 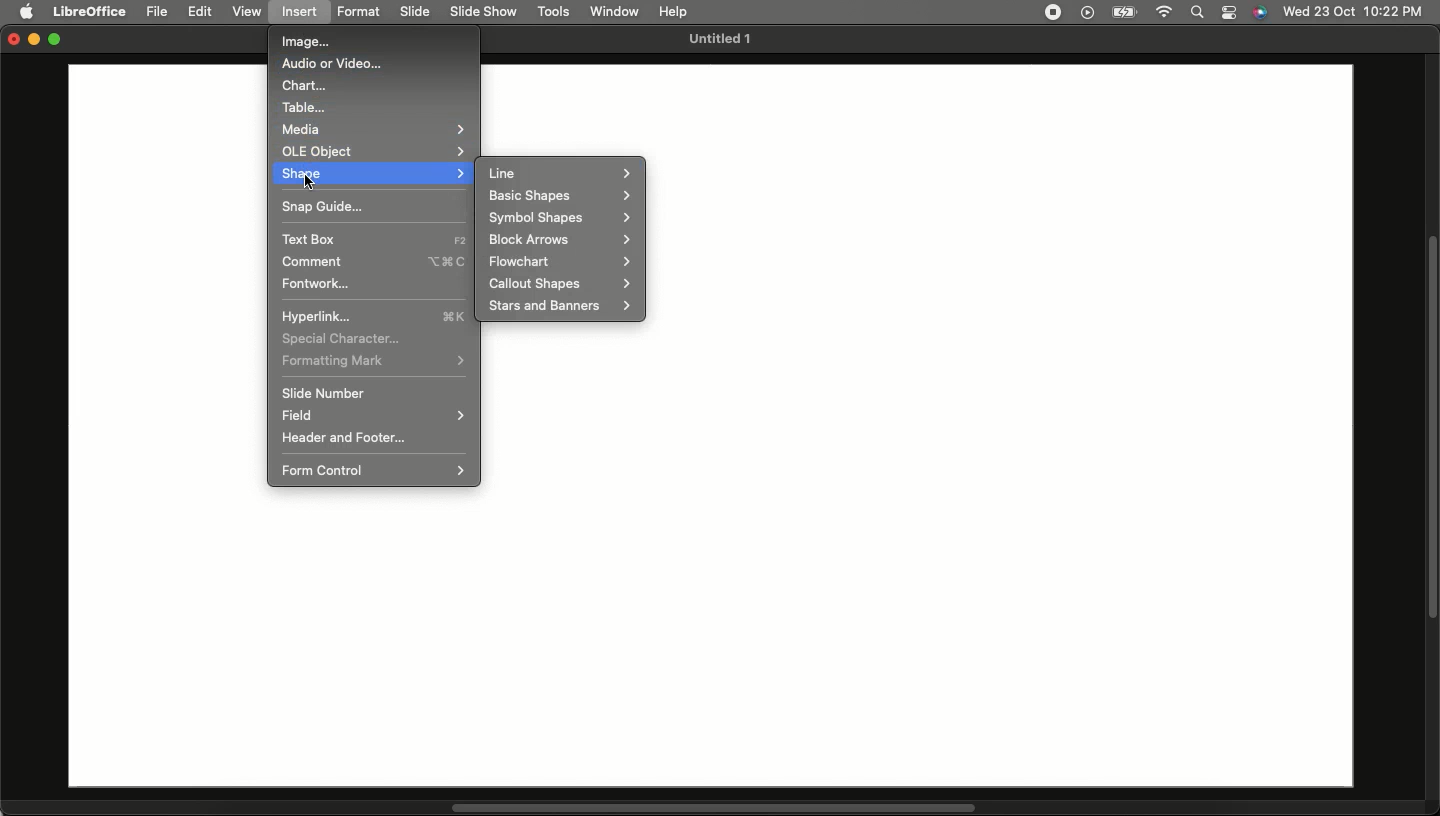 I want to click on Window, so click(x=616, y=11).